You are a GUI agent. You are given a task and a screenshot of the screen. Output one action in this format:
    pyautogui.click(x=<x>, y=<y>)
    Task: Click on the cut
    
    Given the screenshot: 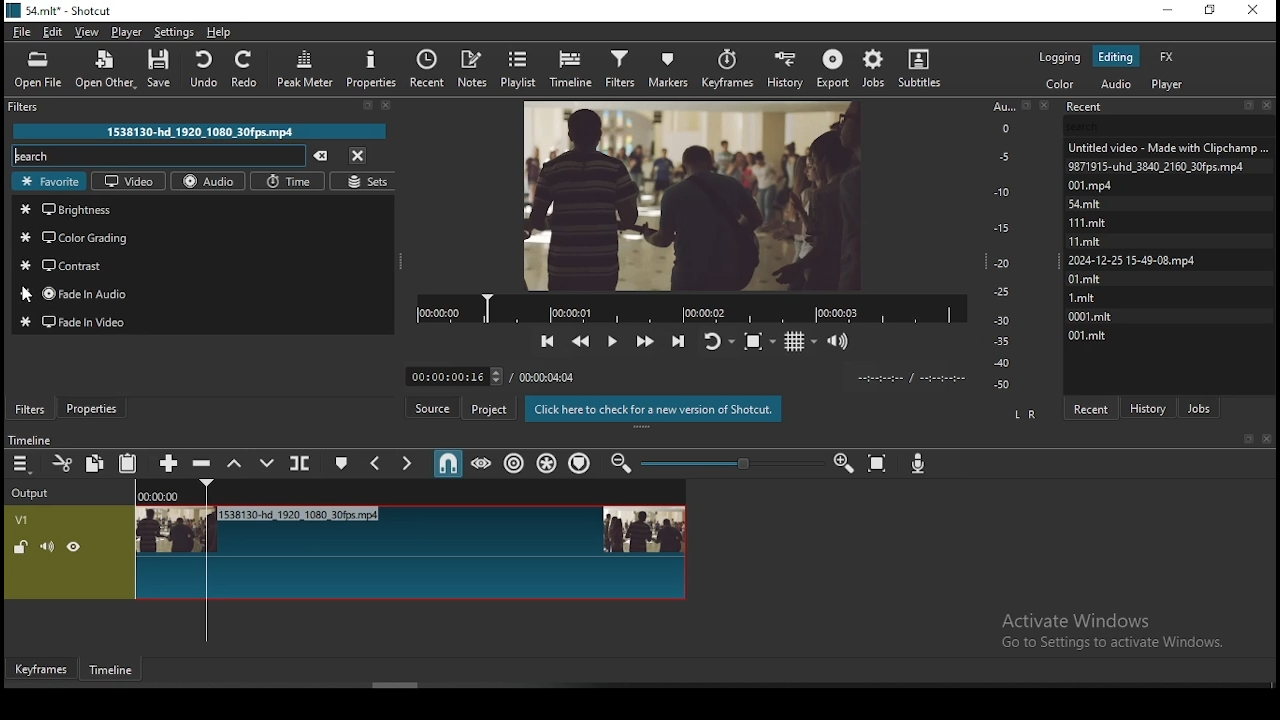 What is the action you would take?
    pyautogui.click(x=65, y=463)
    